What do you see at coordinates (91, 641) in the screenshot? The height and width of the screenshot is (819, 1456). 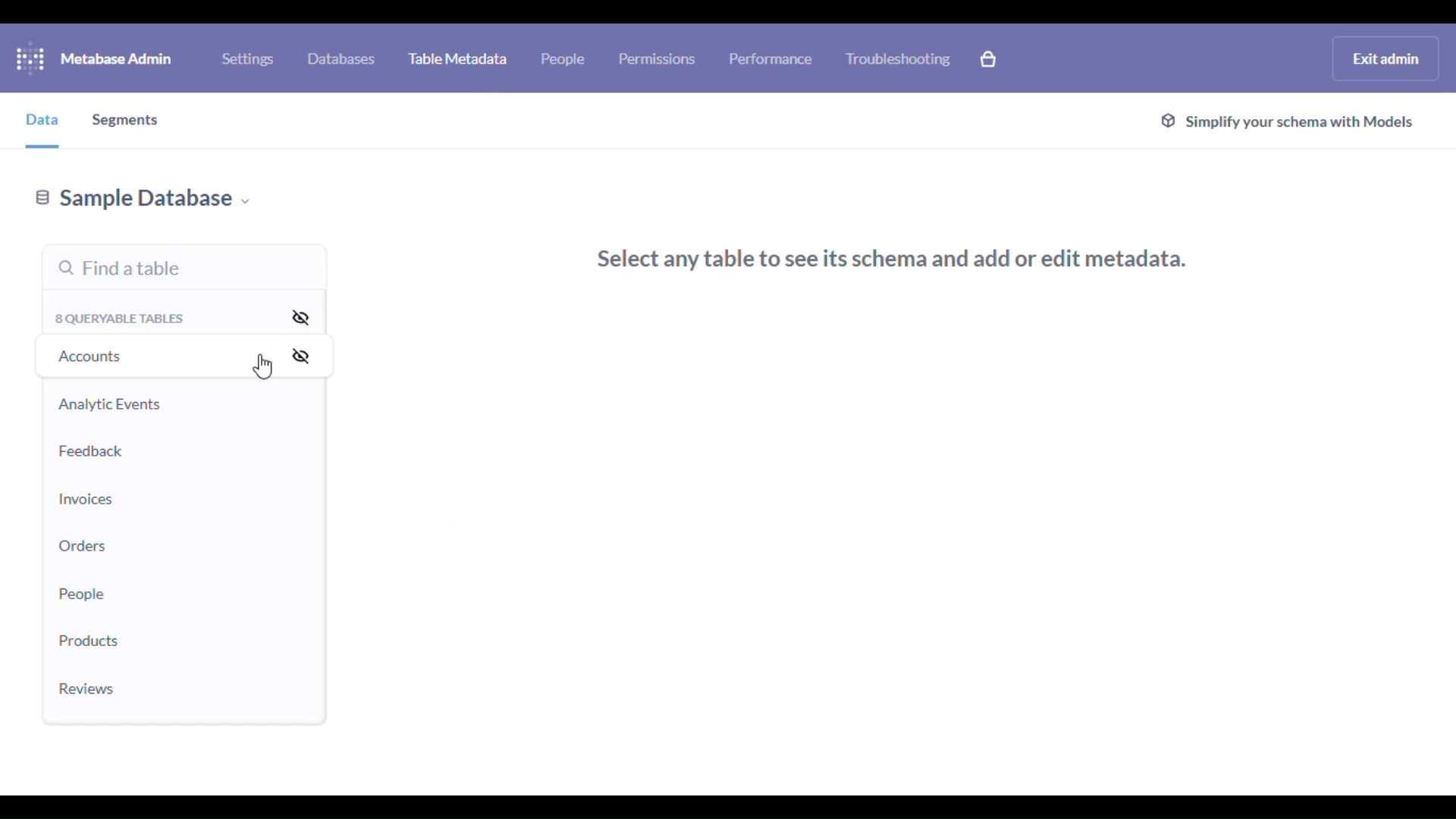 I see `products` at bounding box center [91, 641].